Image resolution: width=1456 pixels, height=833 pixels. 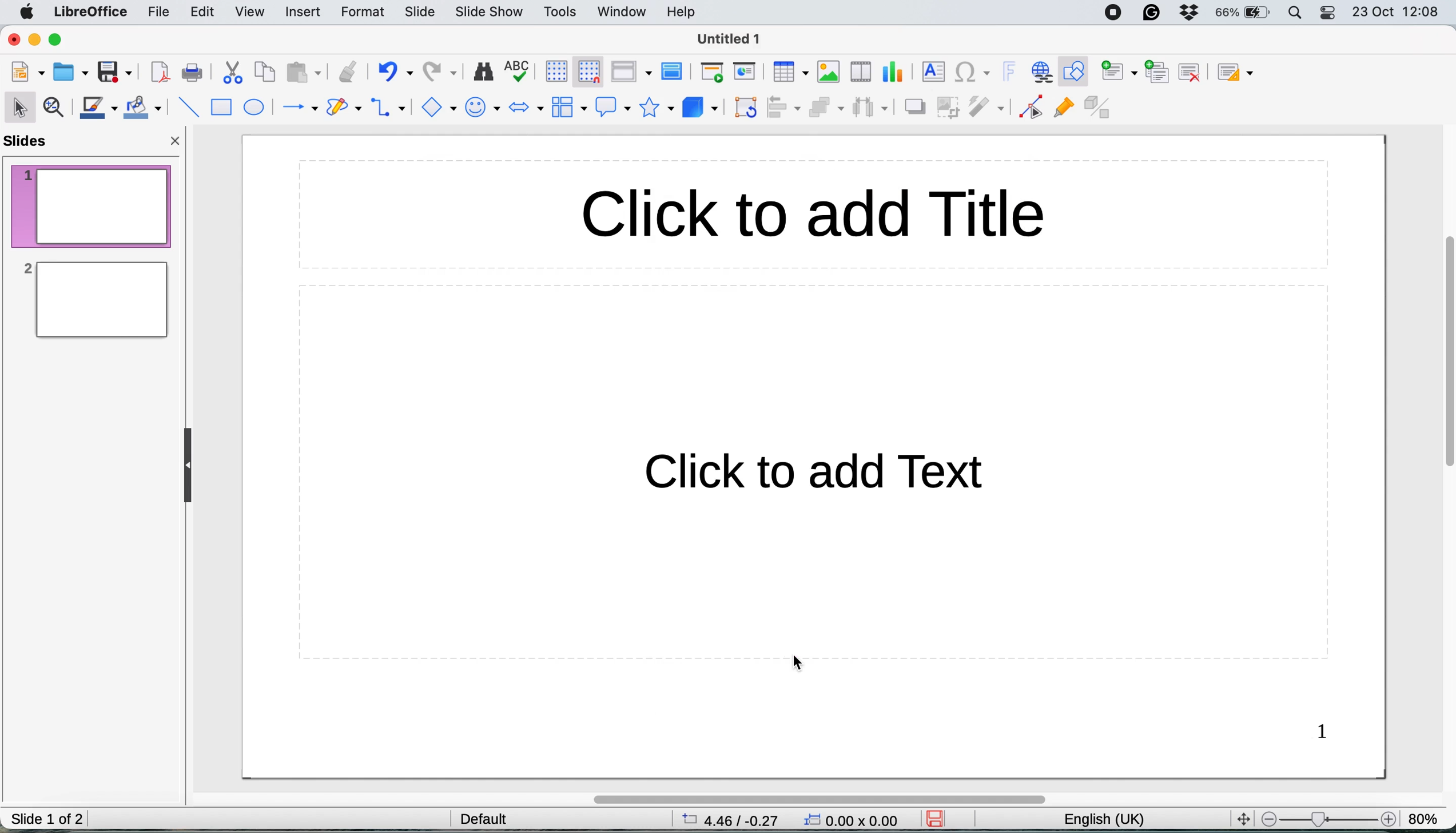 I want to click on arrange, so click(x=825, y=109).